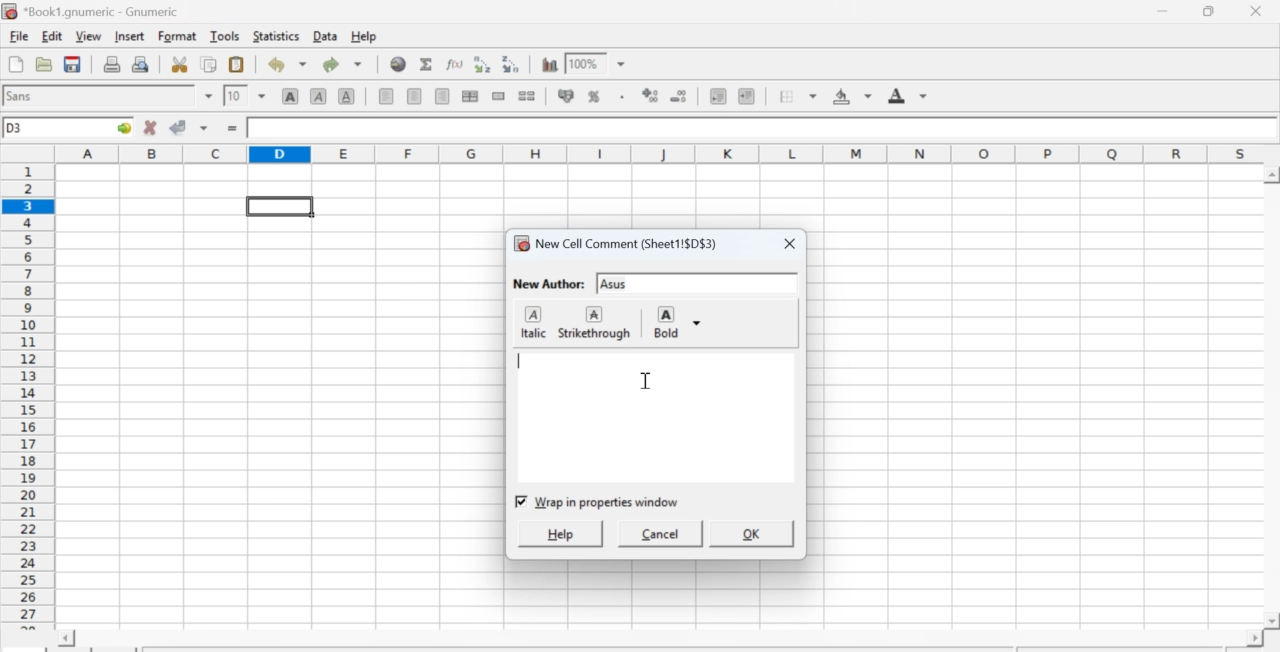 The image size is (1280, 652). I want to click on Font Size, so click(244, 95).